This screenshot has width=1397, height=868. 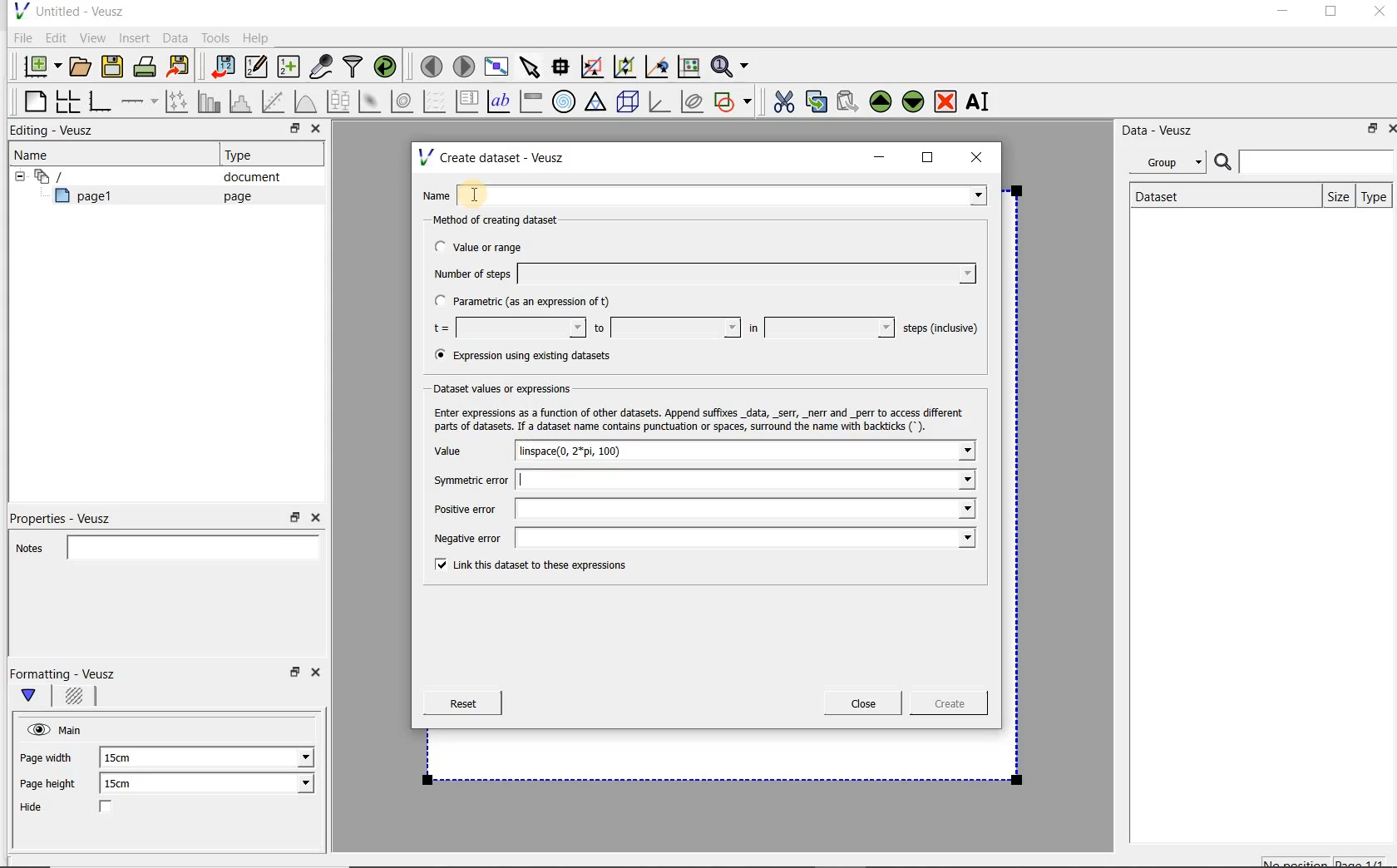 I want to click on Zoom functions menu, so click(x=731, y=62).